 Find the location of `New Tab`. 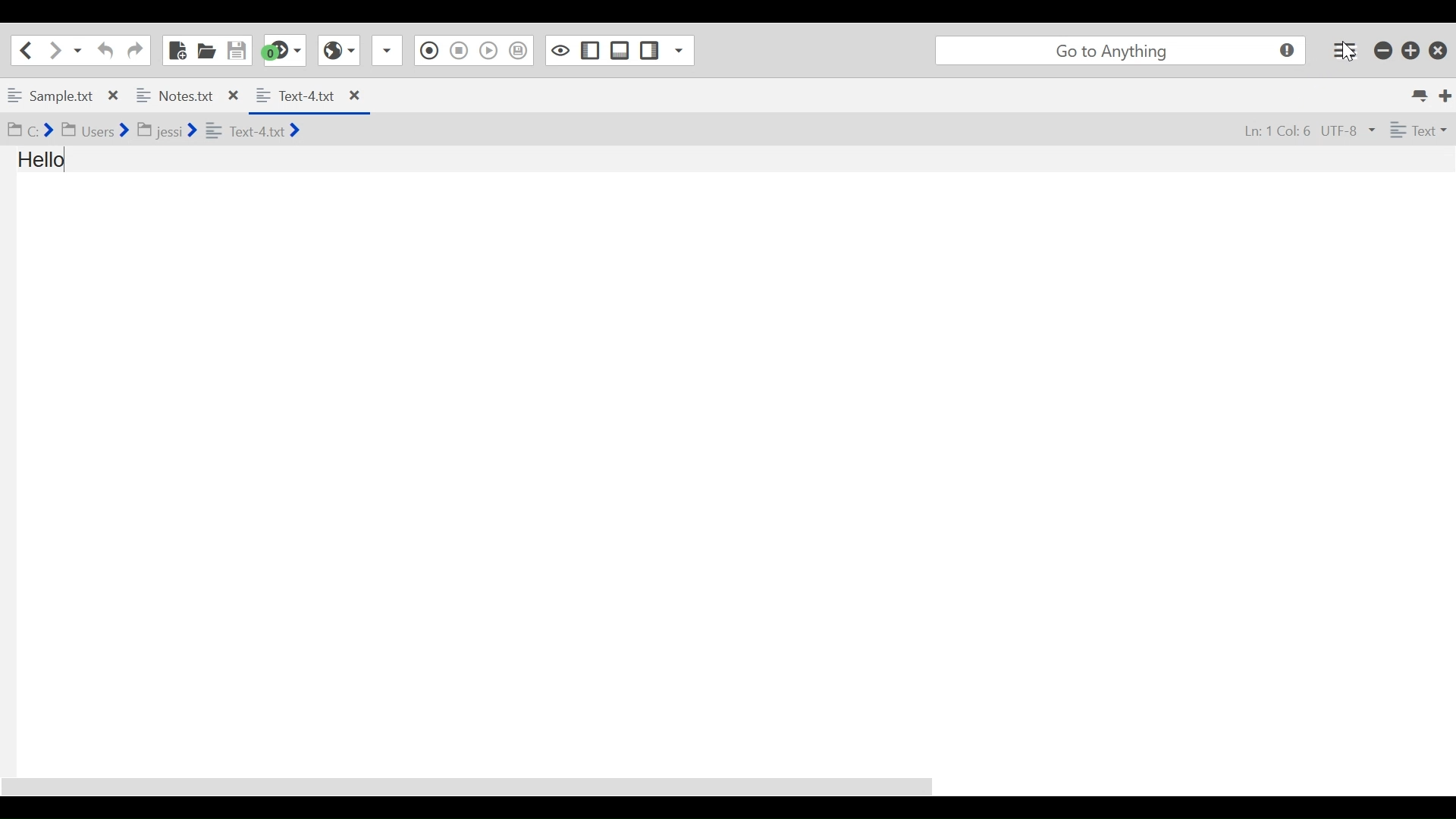

New Tab is located at coordinates (1446, 96).